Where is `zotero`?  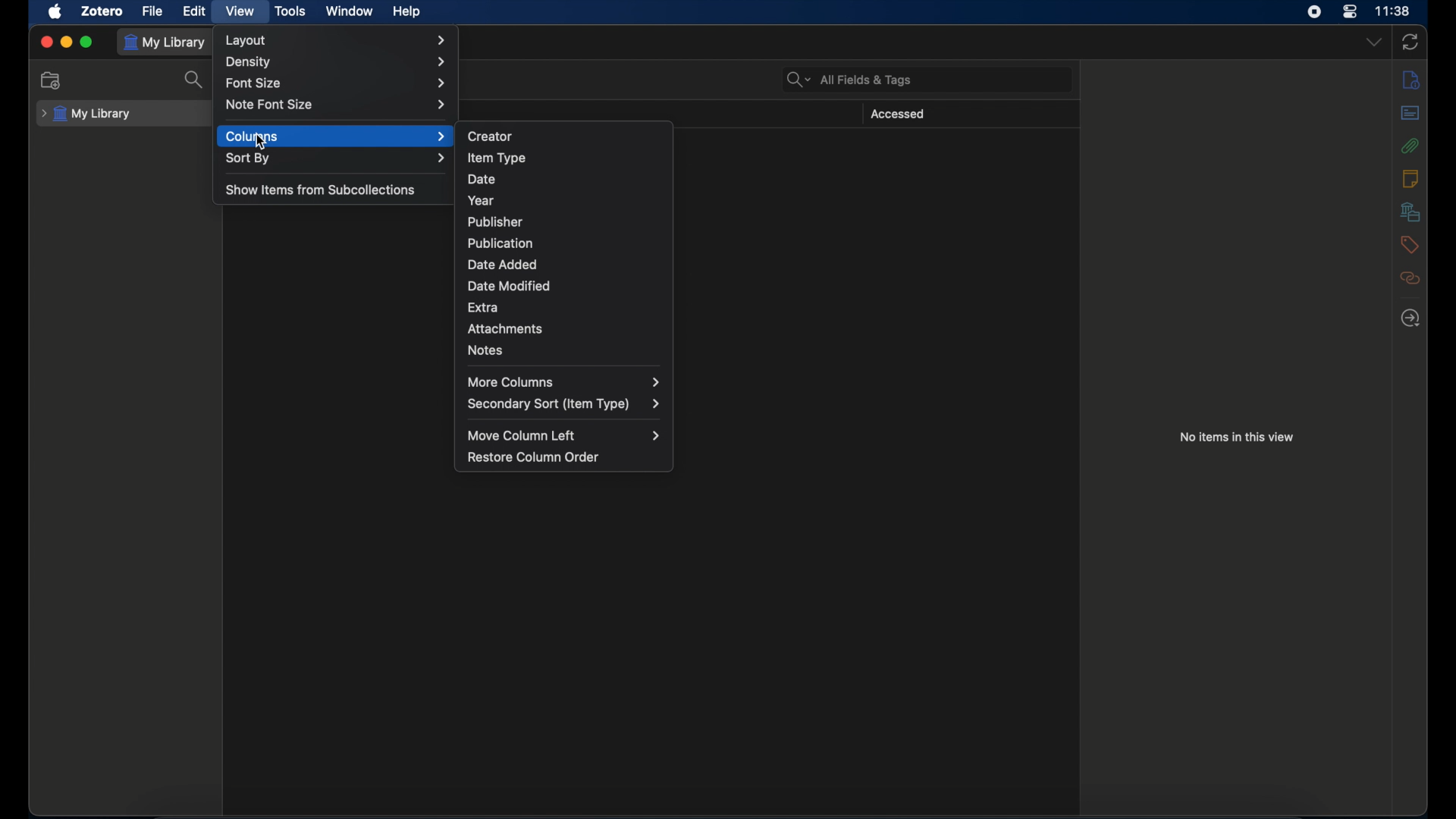
zotero is located at coordinates (104, 11).